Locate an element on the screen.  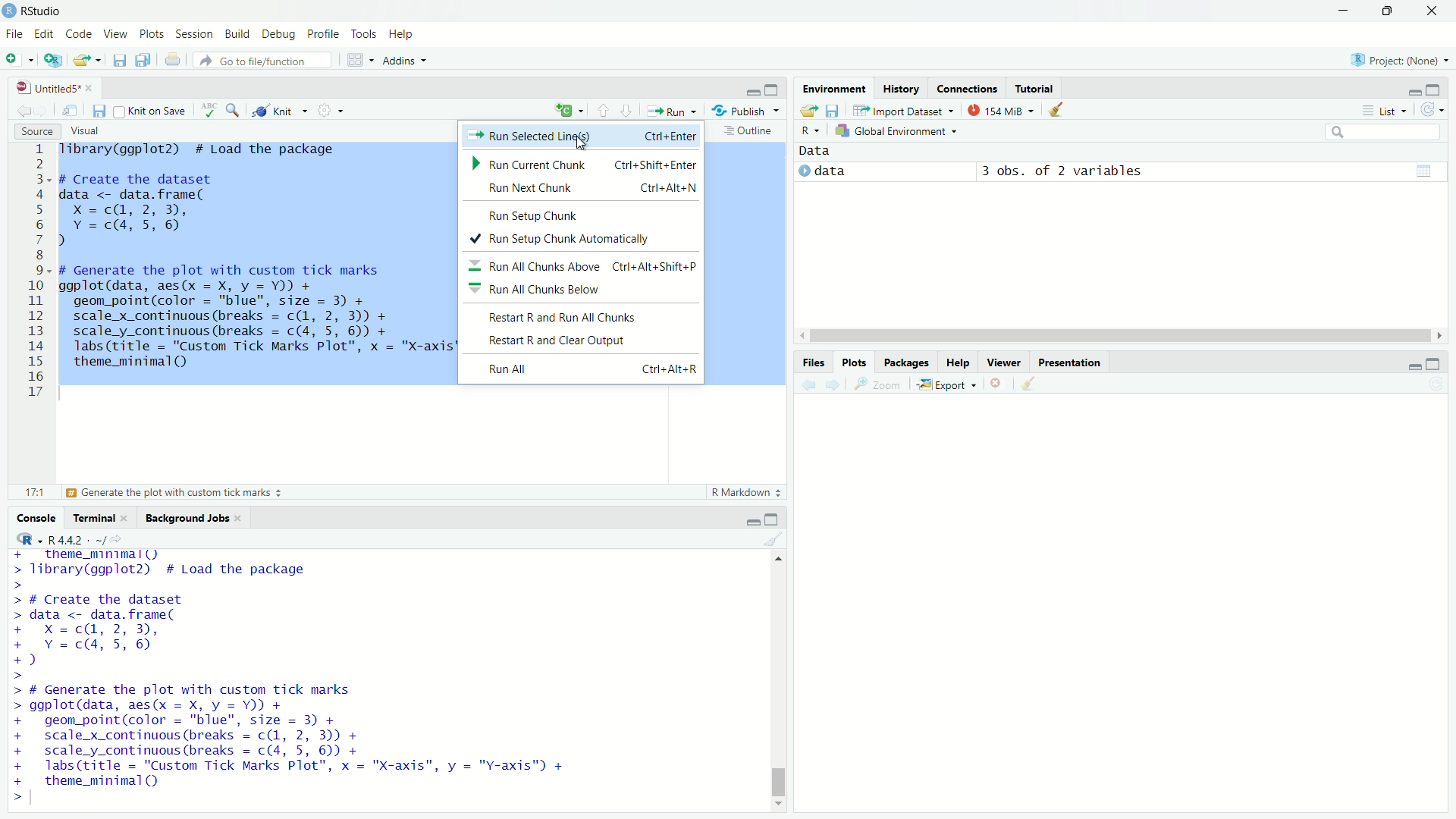
maximize is located at coordinates (775, 517).